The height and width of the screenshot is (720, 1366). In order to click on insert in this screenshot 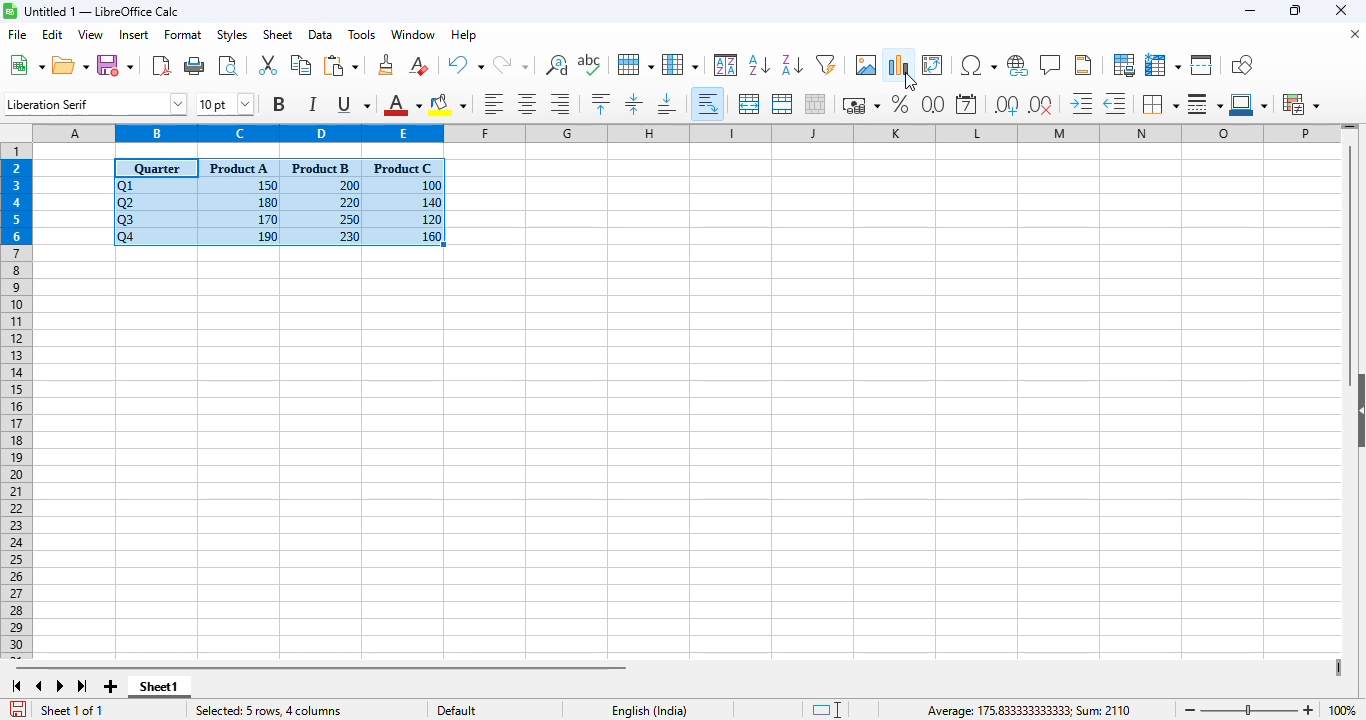, I will do `click(134, 35)`.